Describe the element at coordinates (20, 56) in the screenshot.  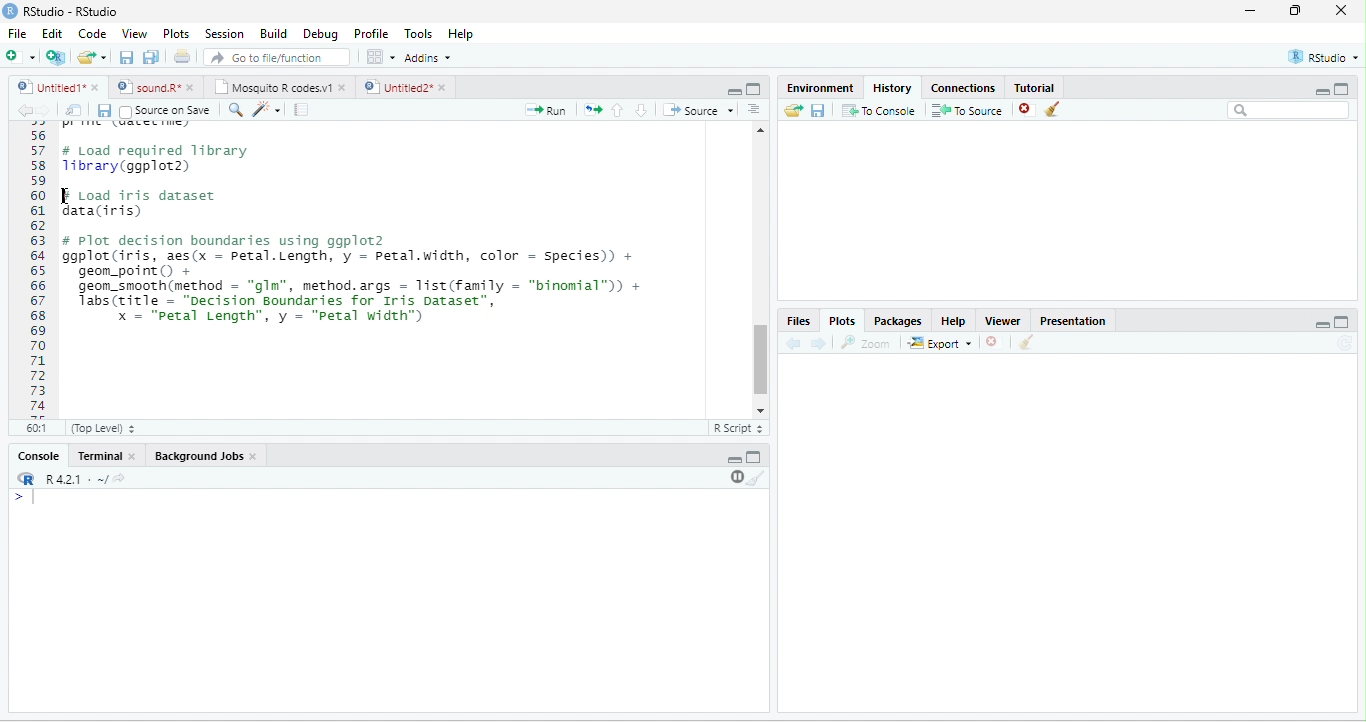
I see `new file` at that location.